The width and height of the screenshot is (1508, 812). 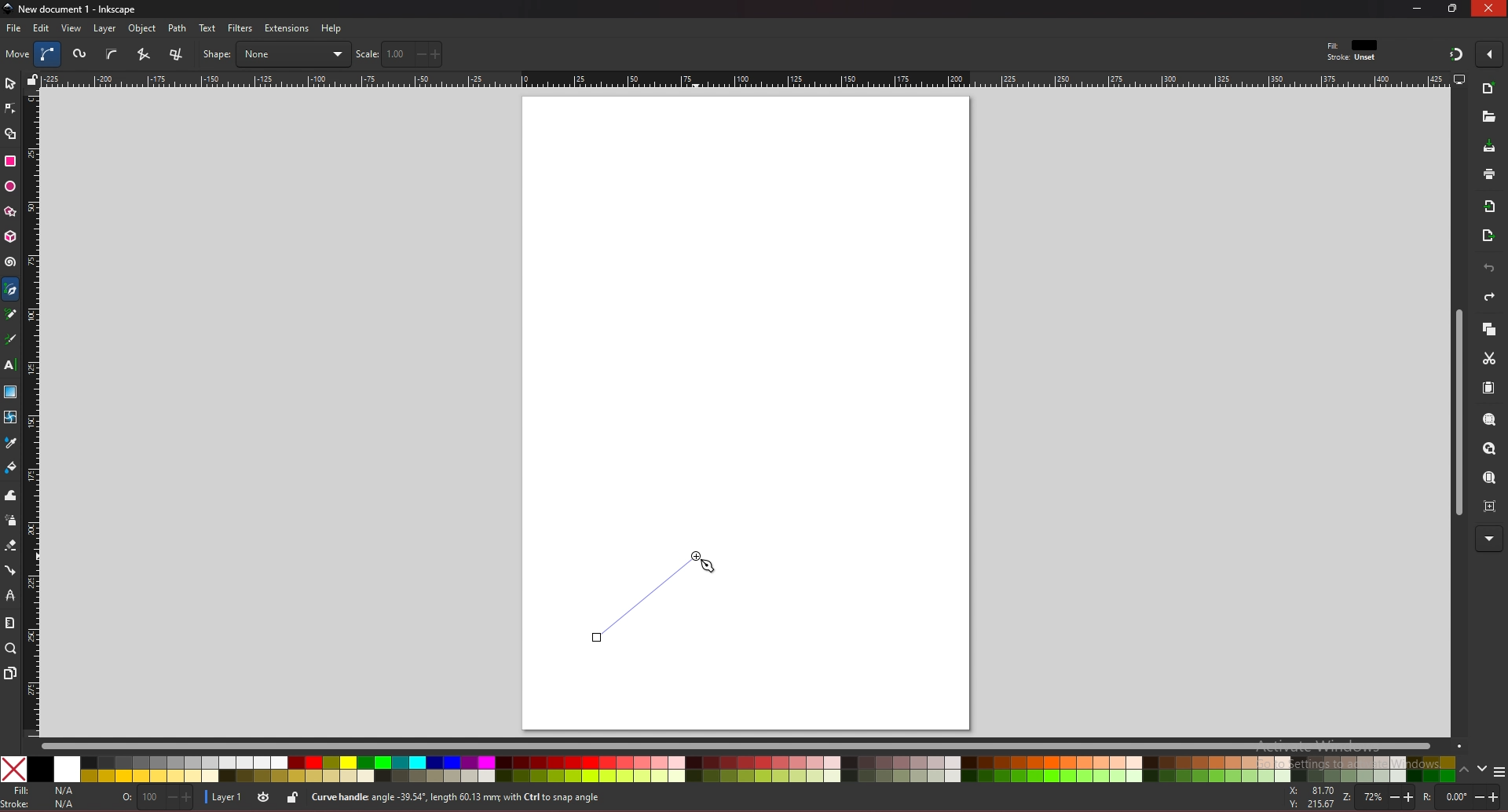 I want to click on toggle visibility, so click(x=263, y=798).